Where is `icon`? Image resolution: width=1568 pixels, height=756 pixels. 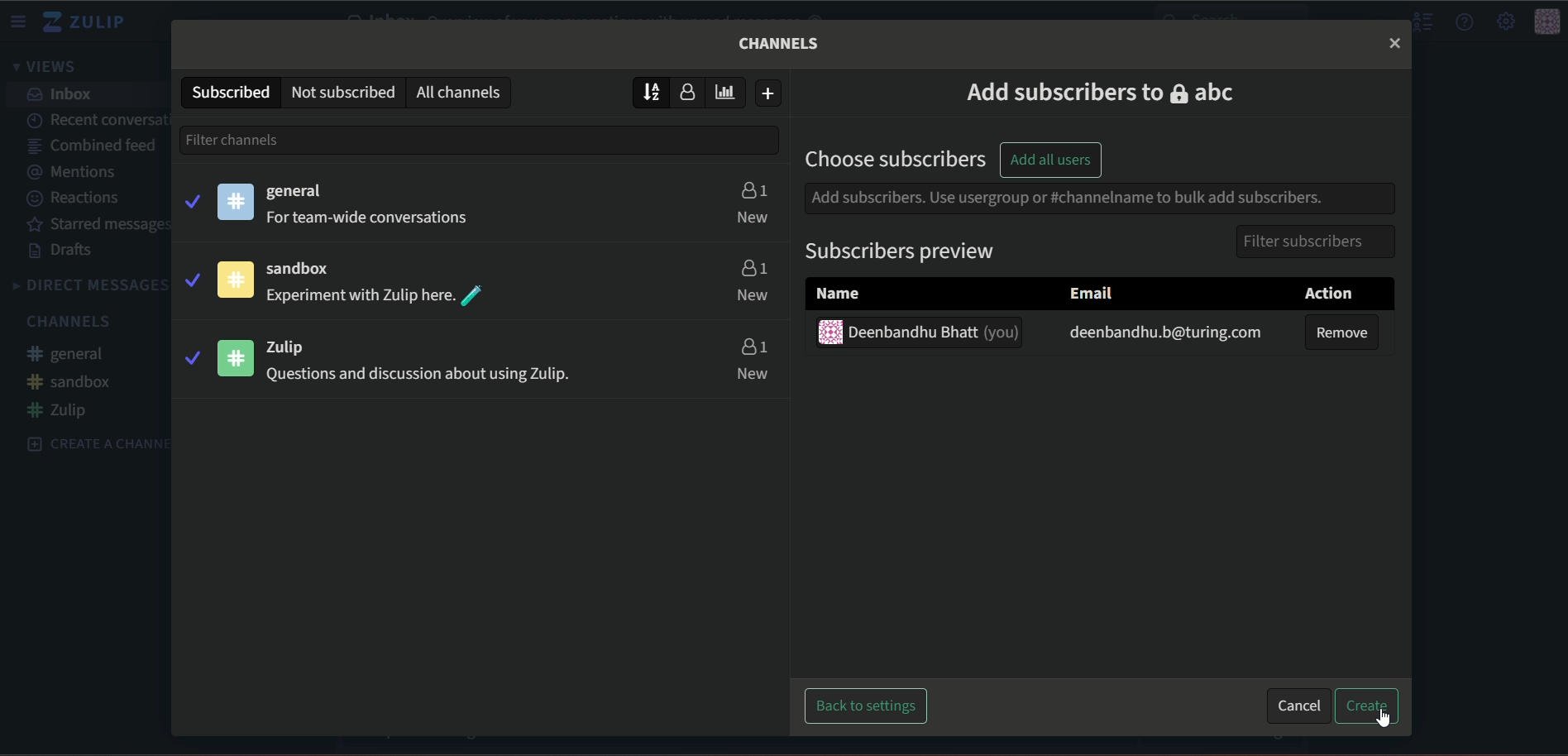 icon is located at coordinates (826, 331).